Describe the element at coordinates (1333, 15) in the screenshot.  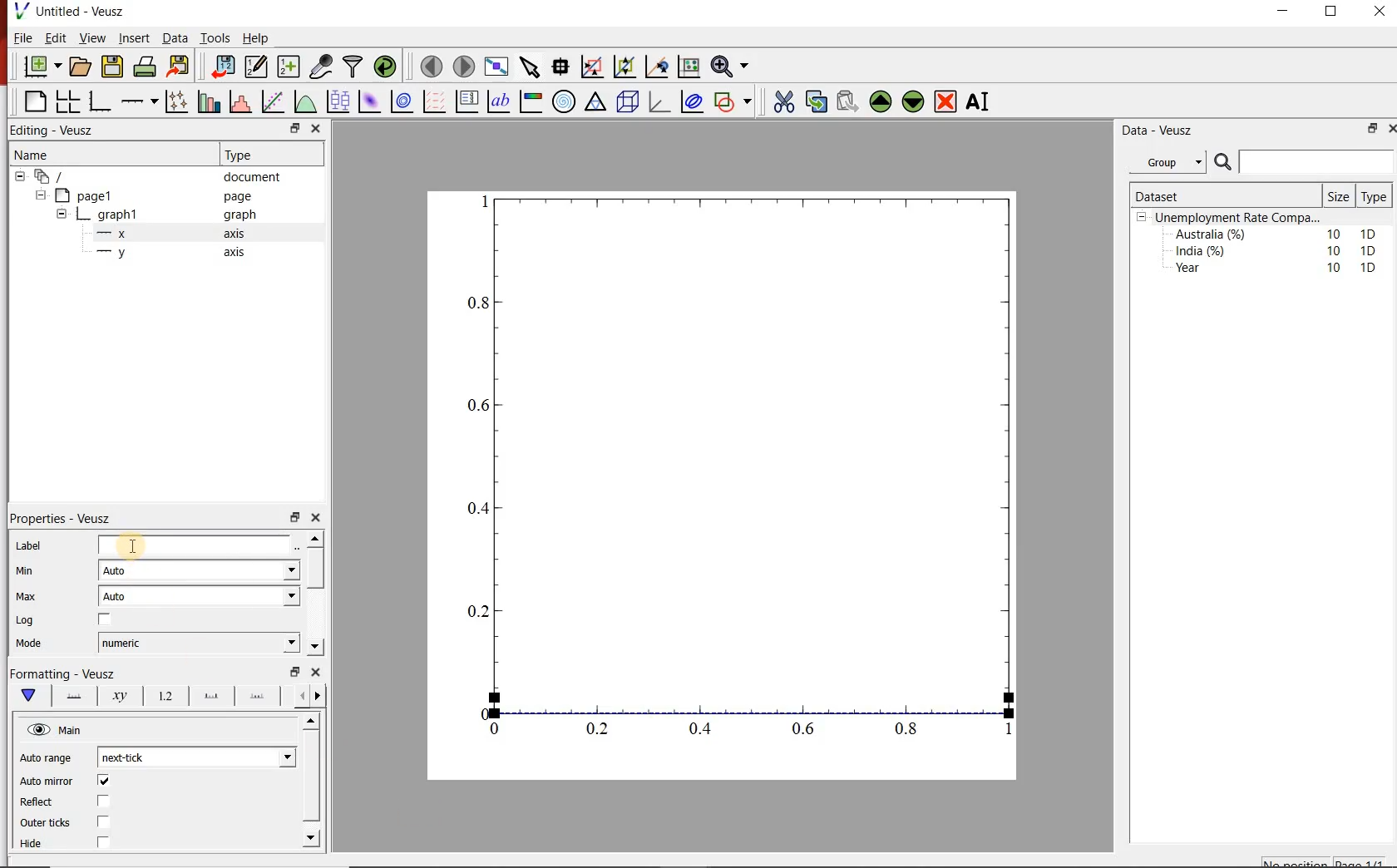
I see `maximise` at that location.